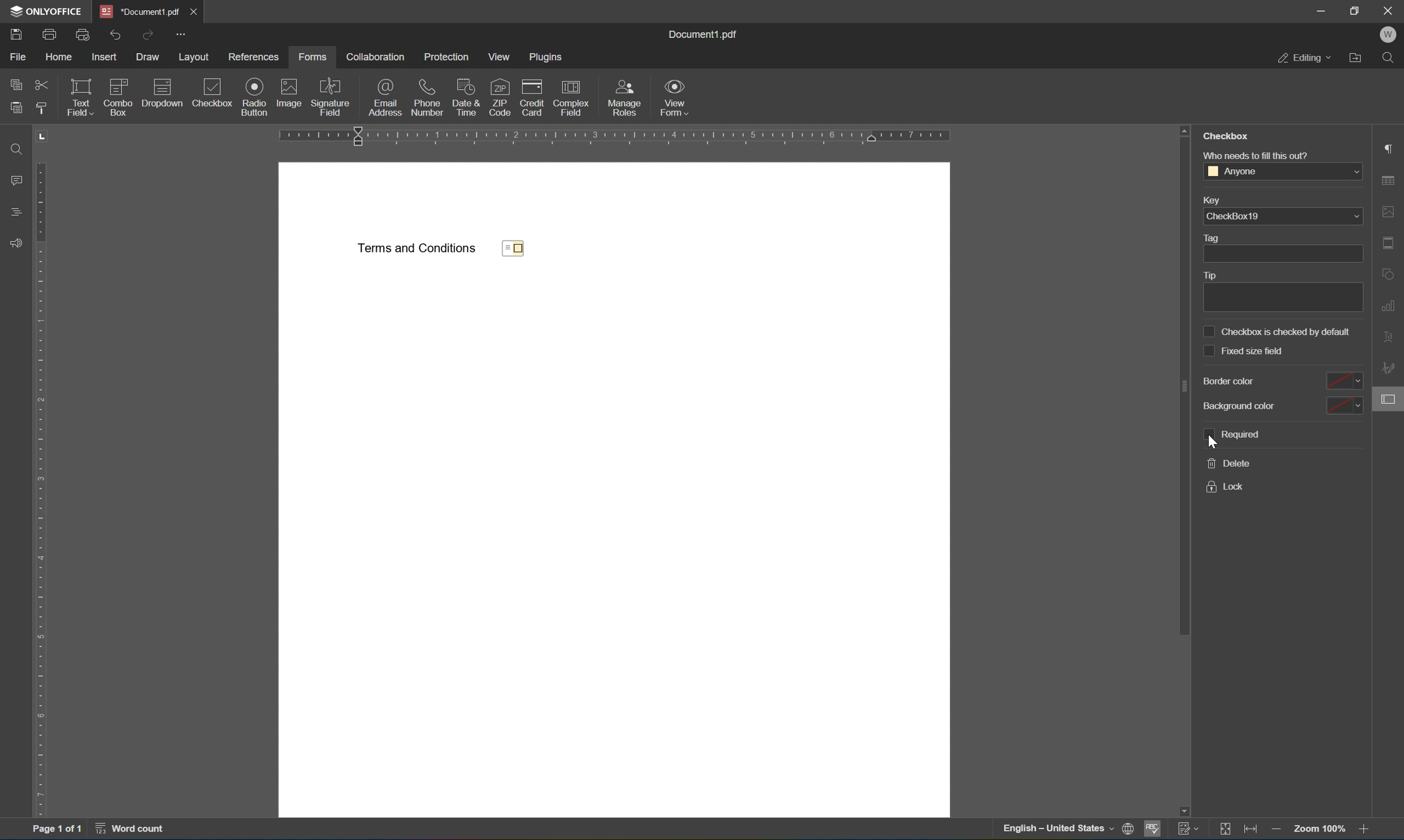 The image size is (1404, 840). I want to click on print, so click(51, 35).